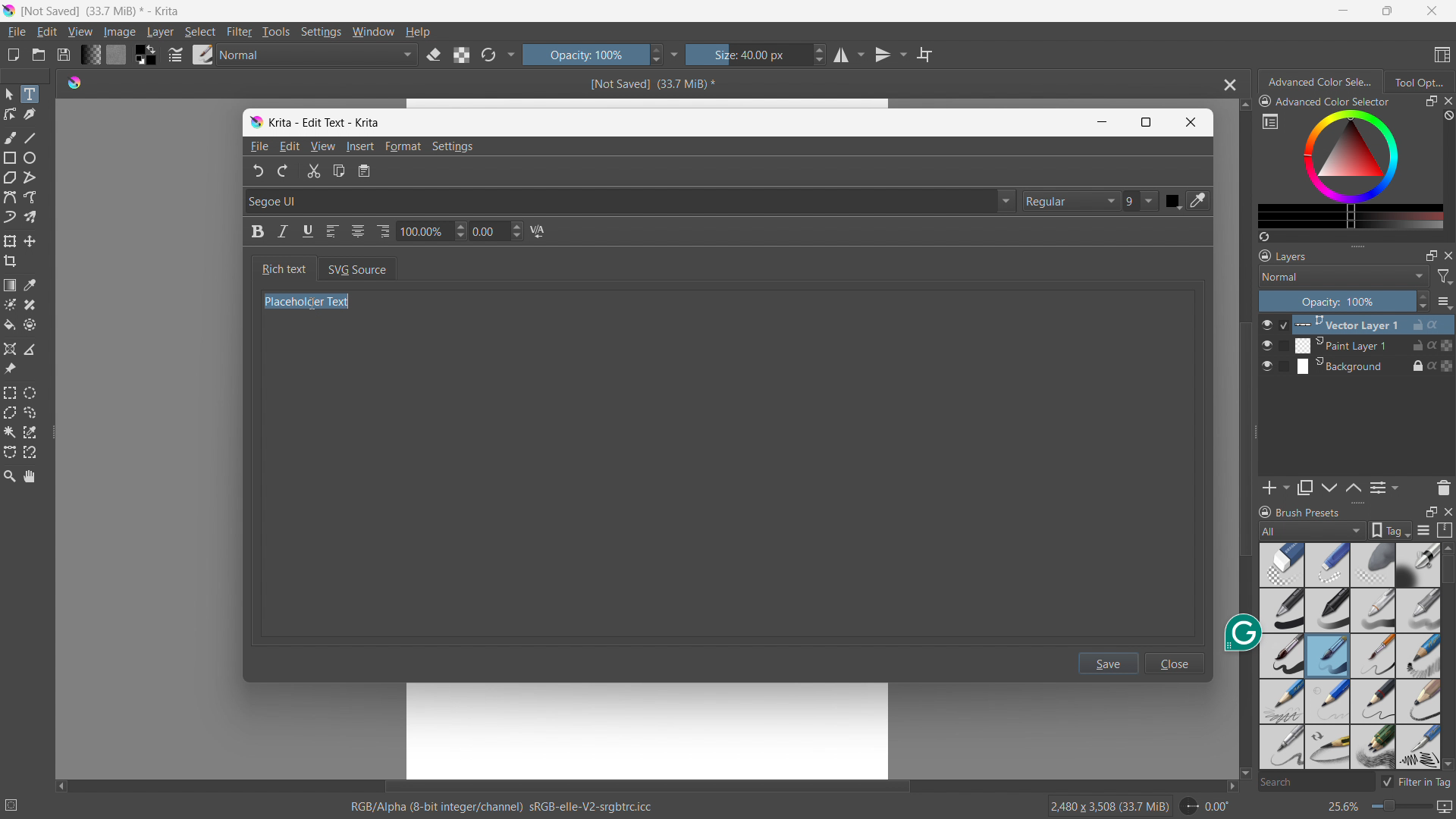 Image resolution: width=1456 pixels, height=819 pixels. Describe the element at coordinates (1267, 345) in the screenshot. I see `layer visibility toggle` at that location.